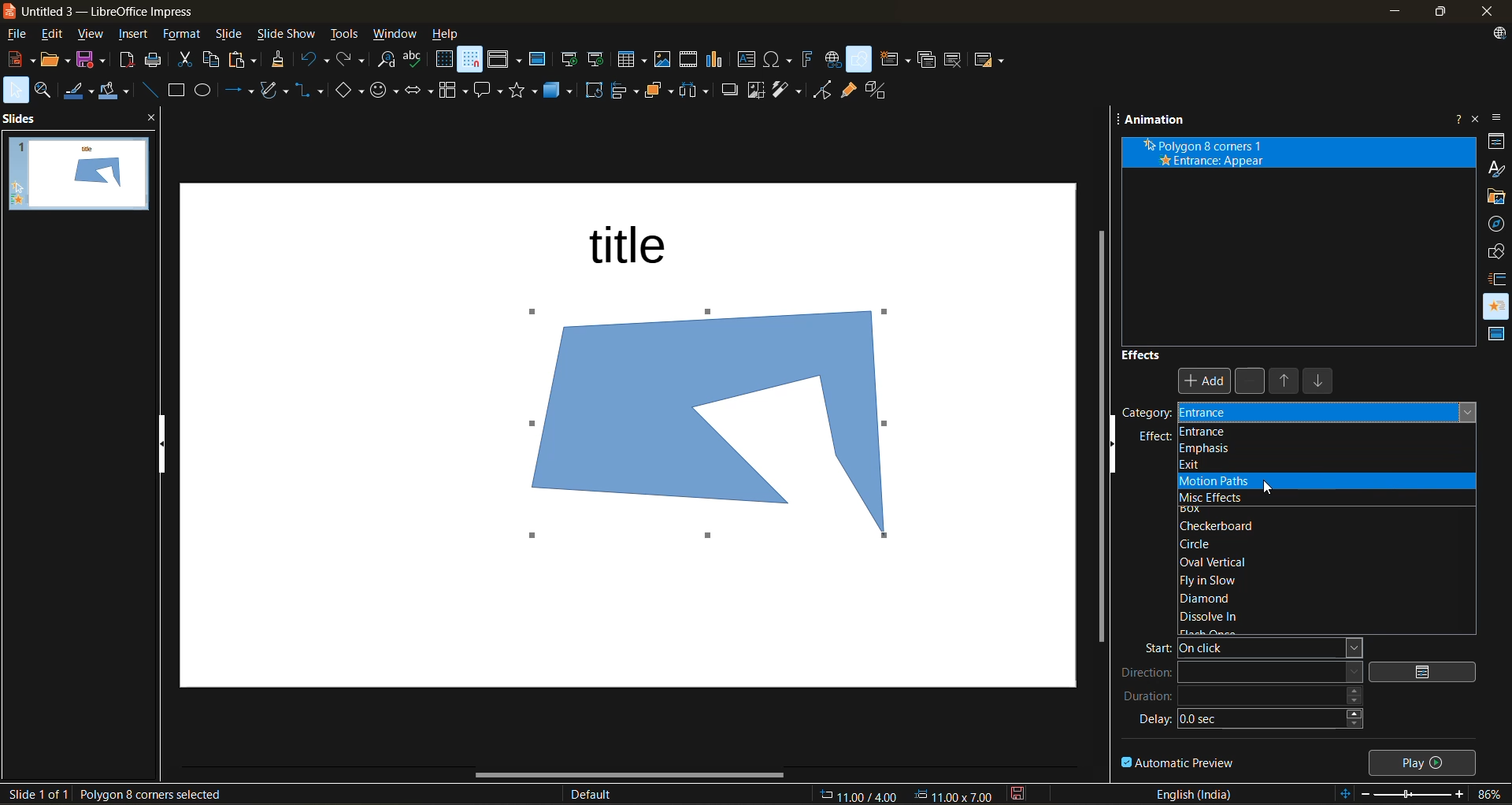  What do you see at coordinates (454, 91) in the screenshot?
I see `flowchart` at bounding box center [454, 91].